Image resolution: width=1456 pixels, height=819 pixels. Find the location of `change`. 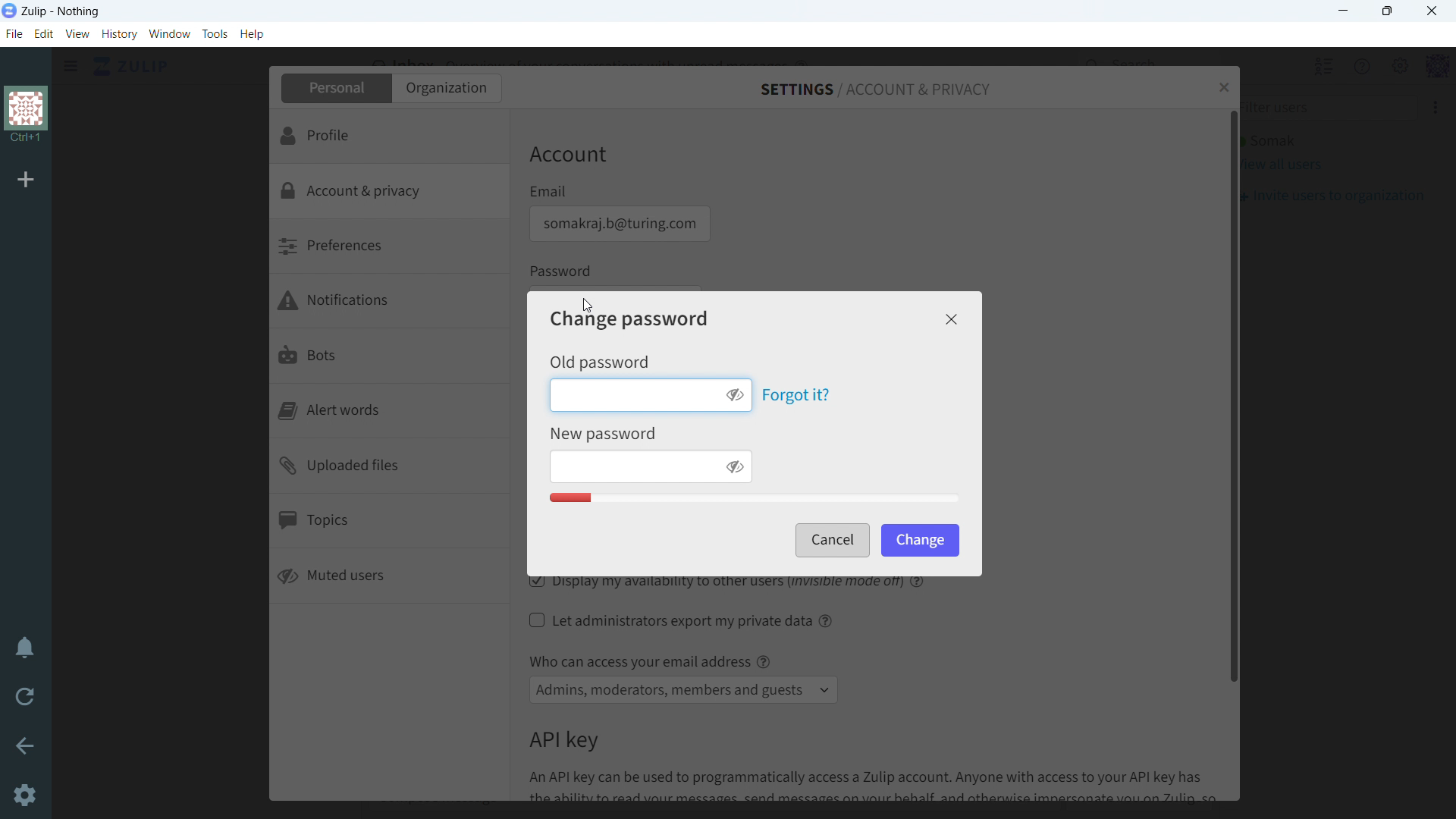

change is located at coordinates (919, 538).